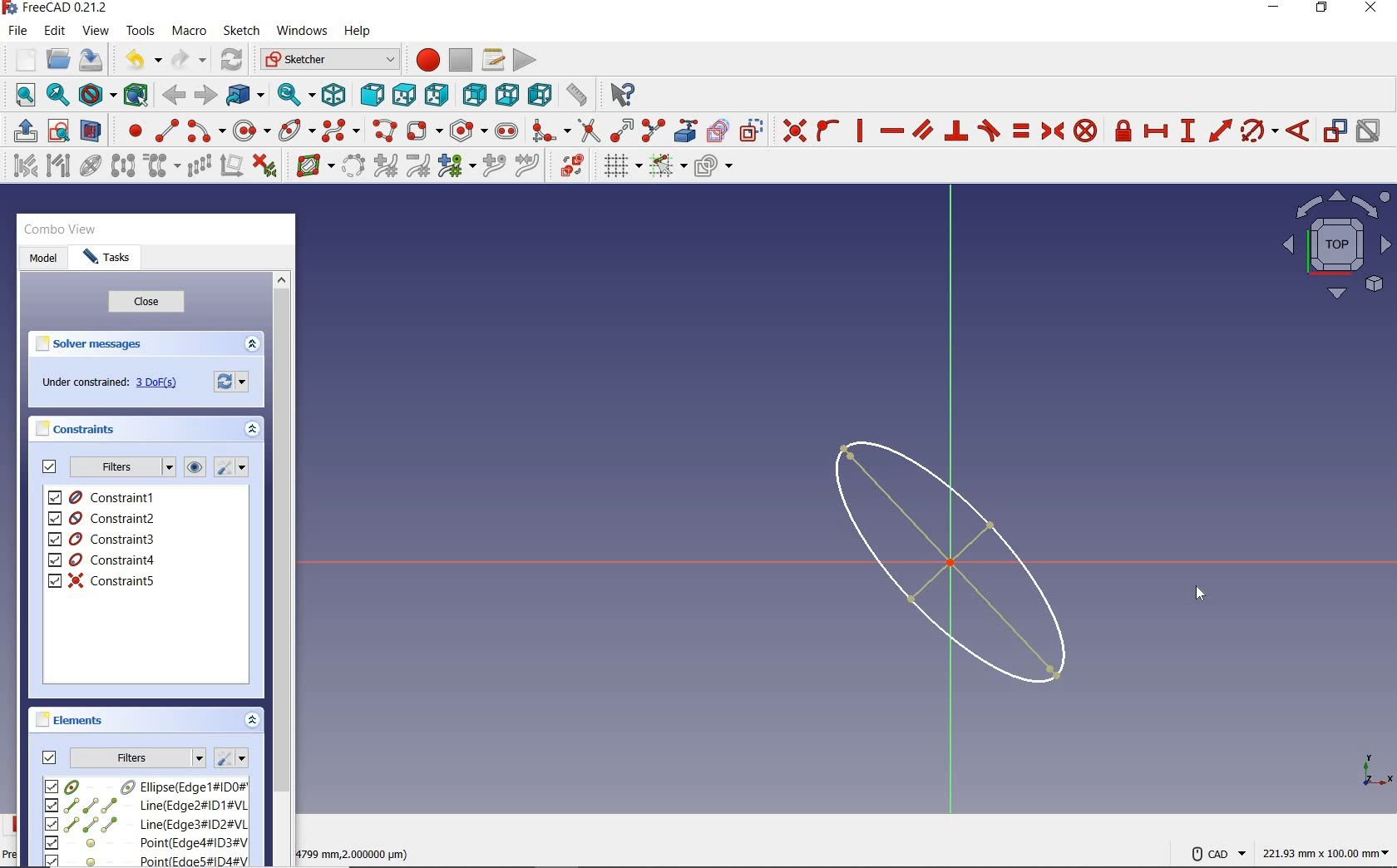 This screenshot has width=1397, height=868. Describe the element at coordinates (103, 518) in the screenshot. I see `constraint2` at that location.